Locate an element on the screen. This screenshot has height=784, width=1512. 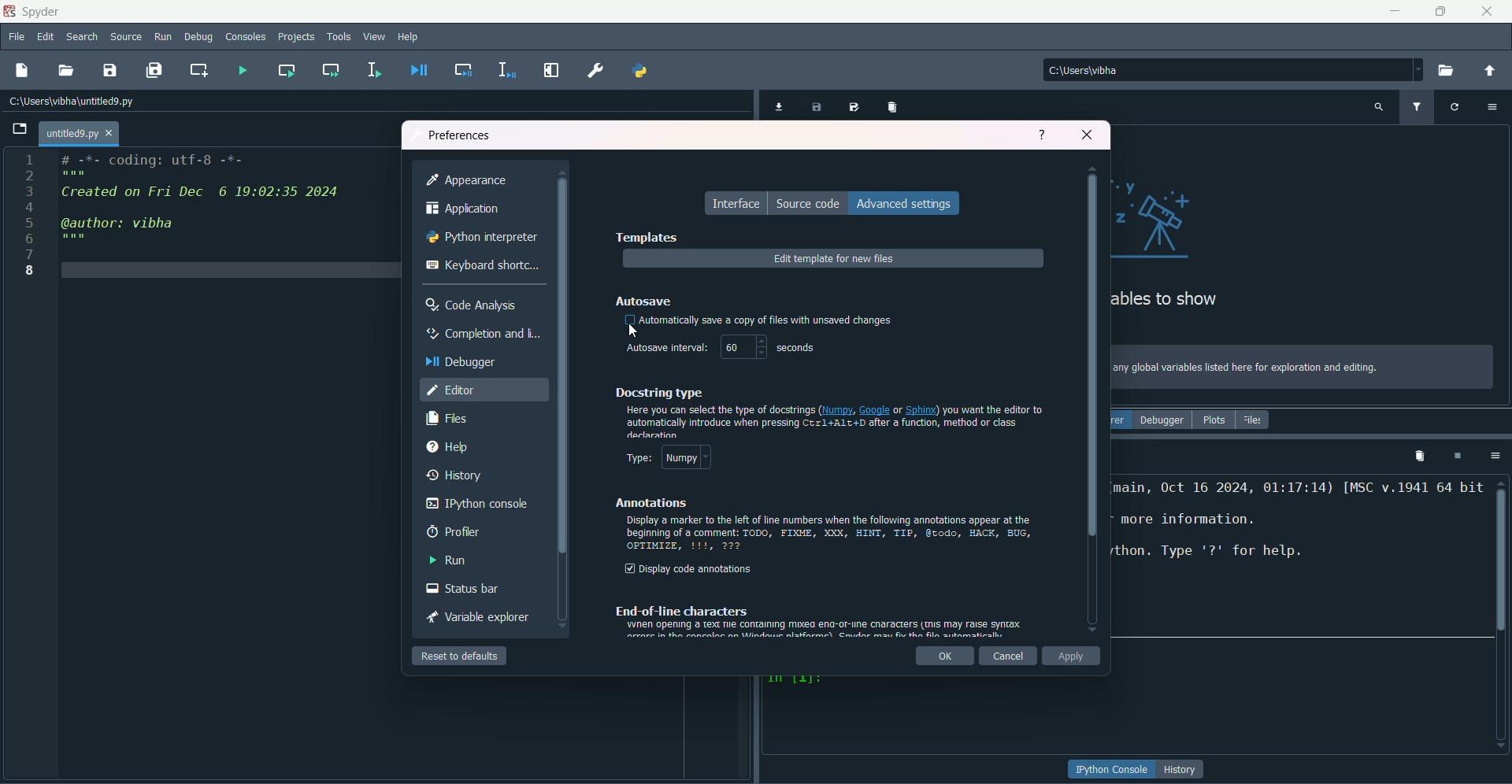
debugger is located at coordinates (461, 361).